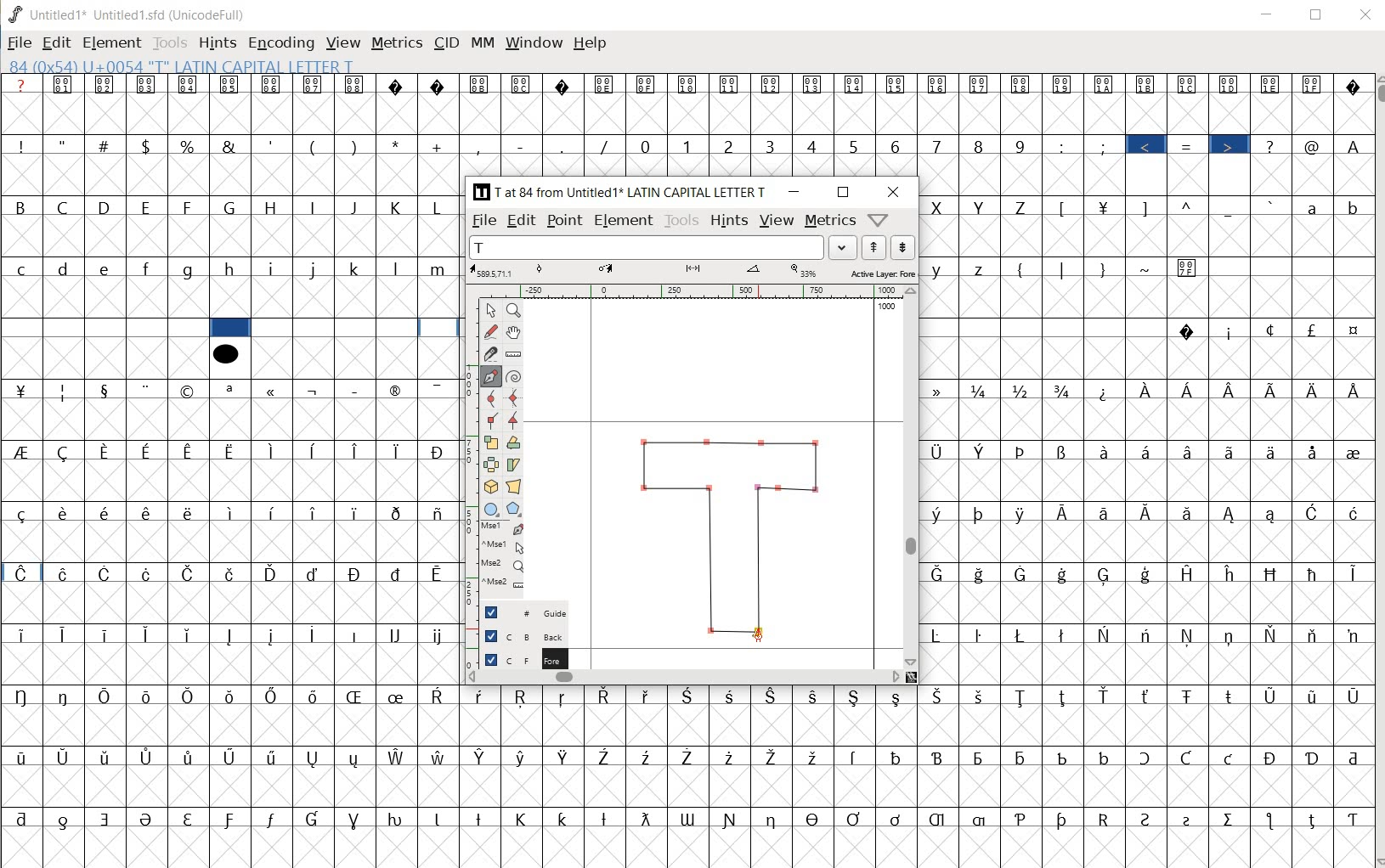  What do you see at coordinates (1230, 451) in the screenshot?
I see `Symbol` at bounding box center [1230, 451].